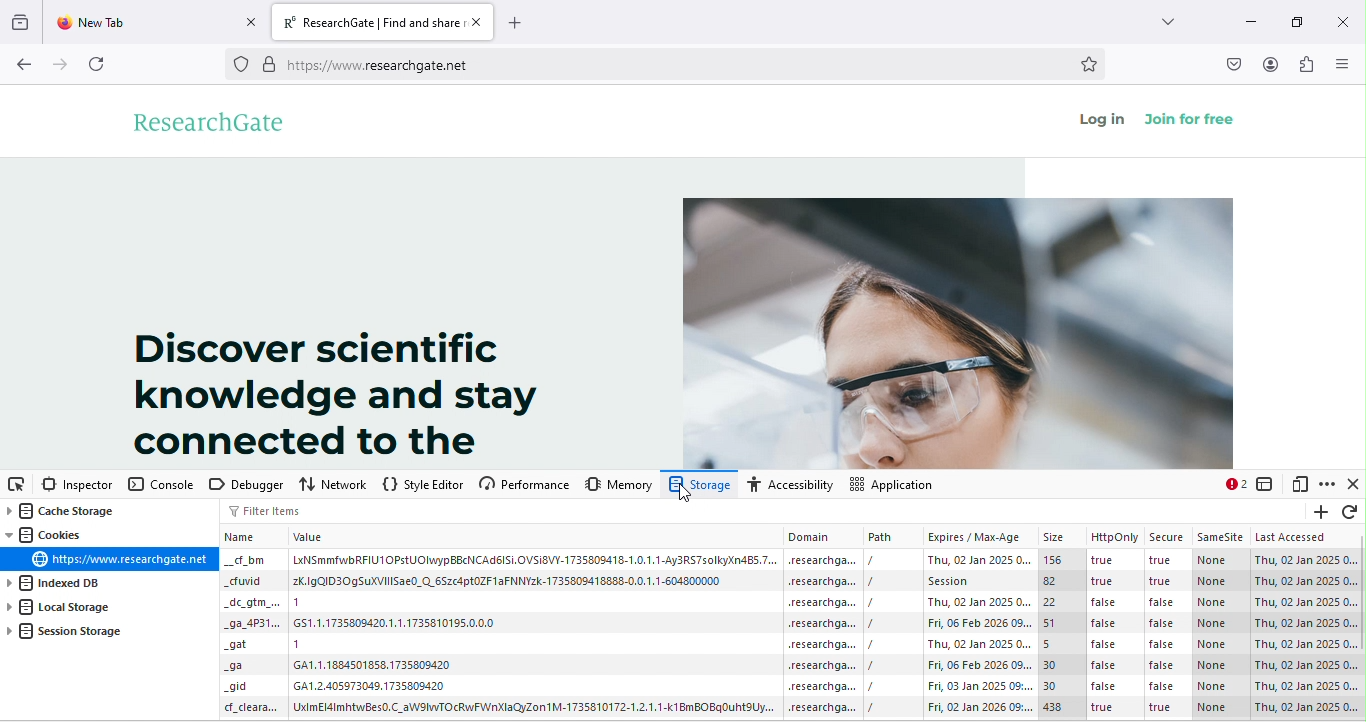 This screenshot has width=1366, height=722. What do you see at coordinates (109, 558) in the screenshot?
I see `link` at bounding box center [109, 558].